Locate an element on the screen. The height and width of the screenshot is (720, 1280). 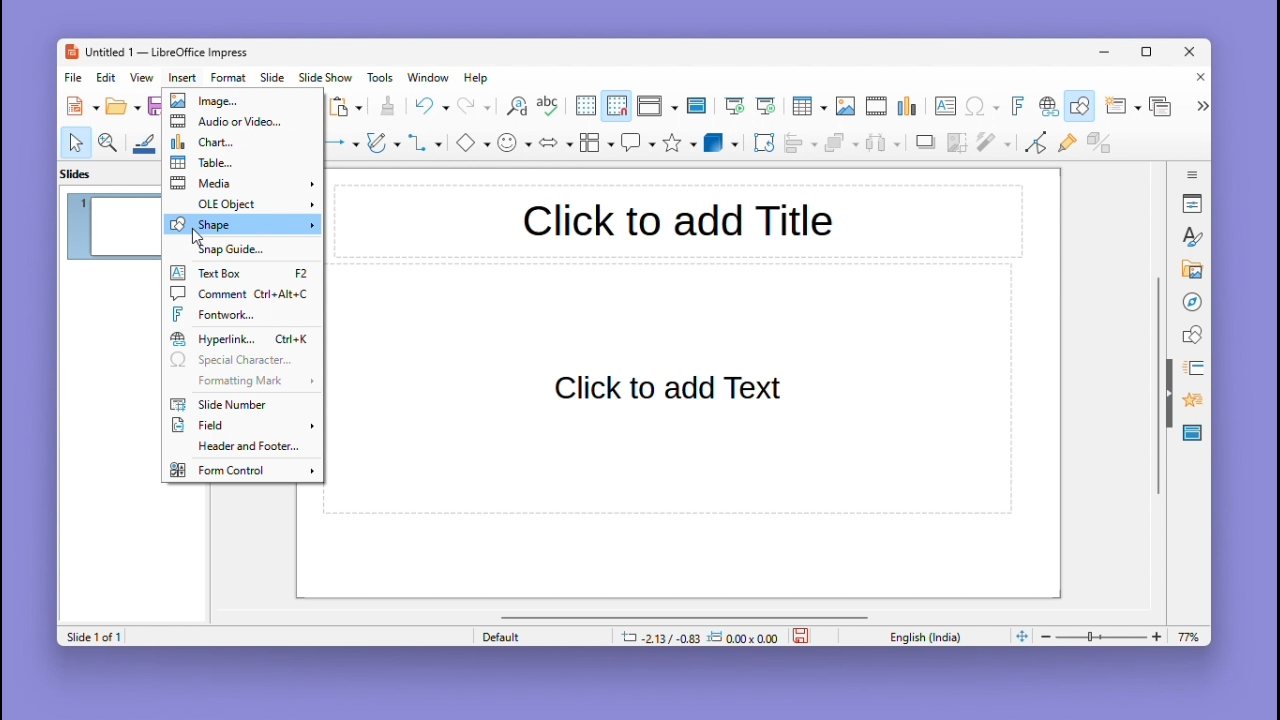
Close is located at coordinates (1191, 53).